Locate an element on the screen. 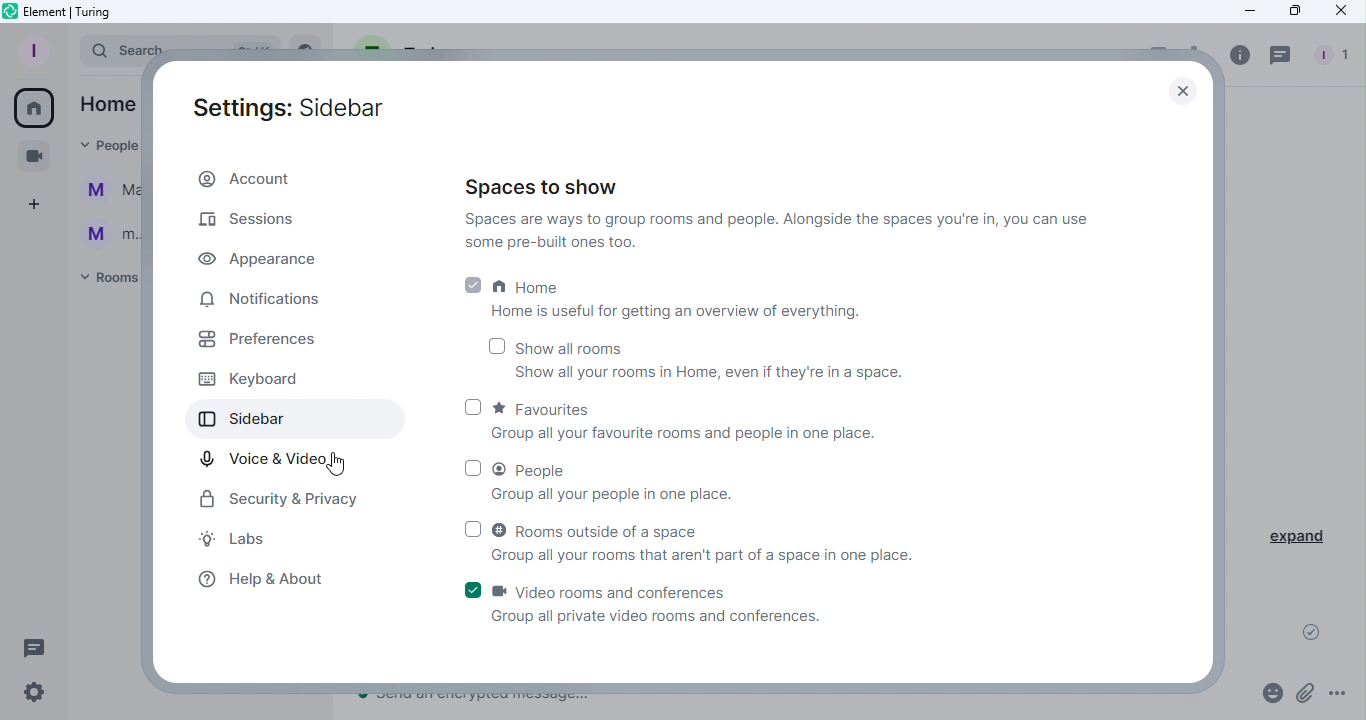 Image resolution: width=1366 pixels, height=720 pixels. Room info is located at coordinates (1238, 57).